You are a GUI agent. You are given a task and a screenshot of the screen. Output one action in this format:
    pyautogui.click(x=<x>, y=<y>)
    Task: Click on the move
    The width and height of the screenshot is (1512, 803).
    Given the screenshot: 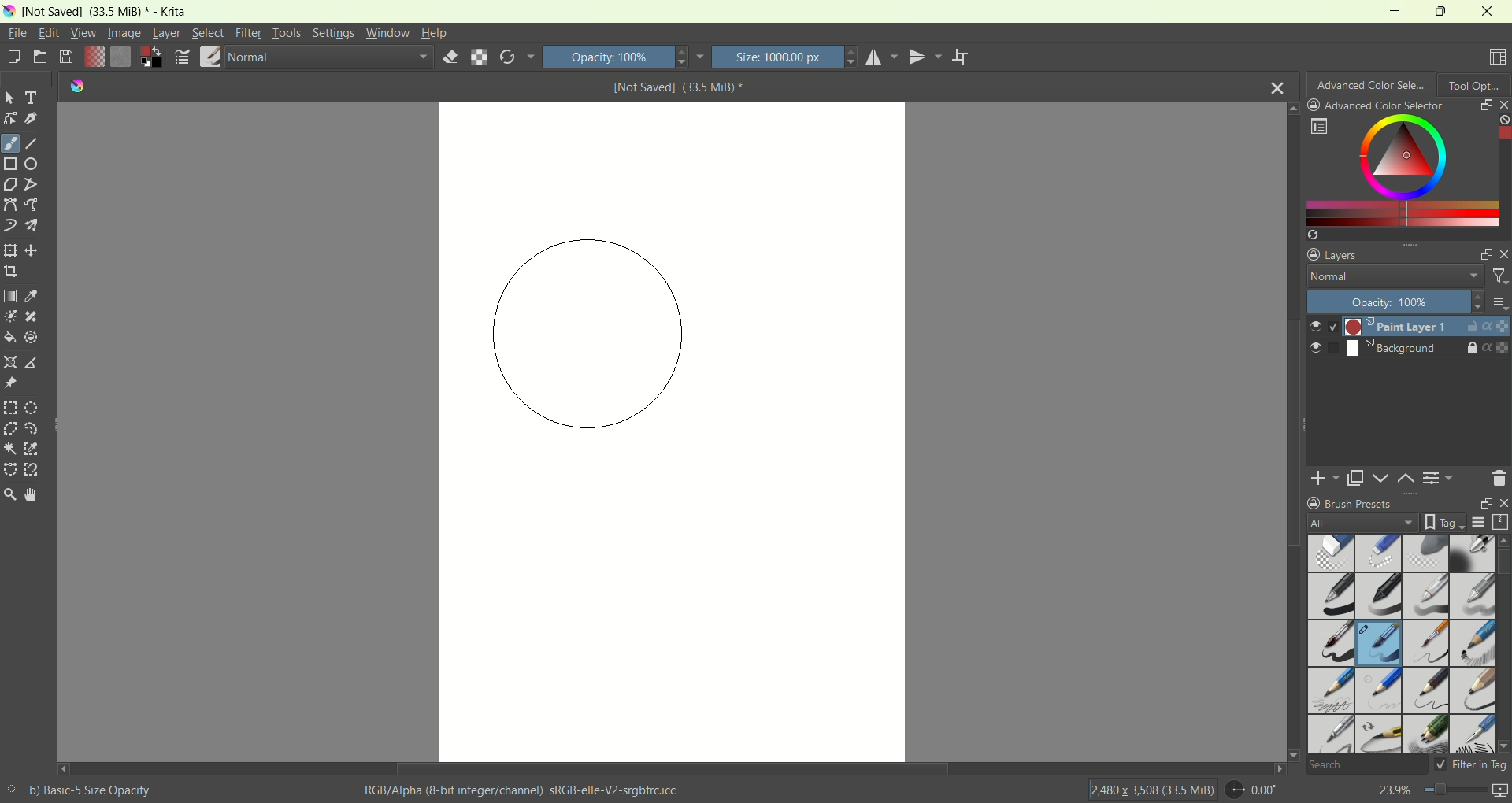 What is the action you would take?
    pyautogui.click(x=31, y=250)
    